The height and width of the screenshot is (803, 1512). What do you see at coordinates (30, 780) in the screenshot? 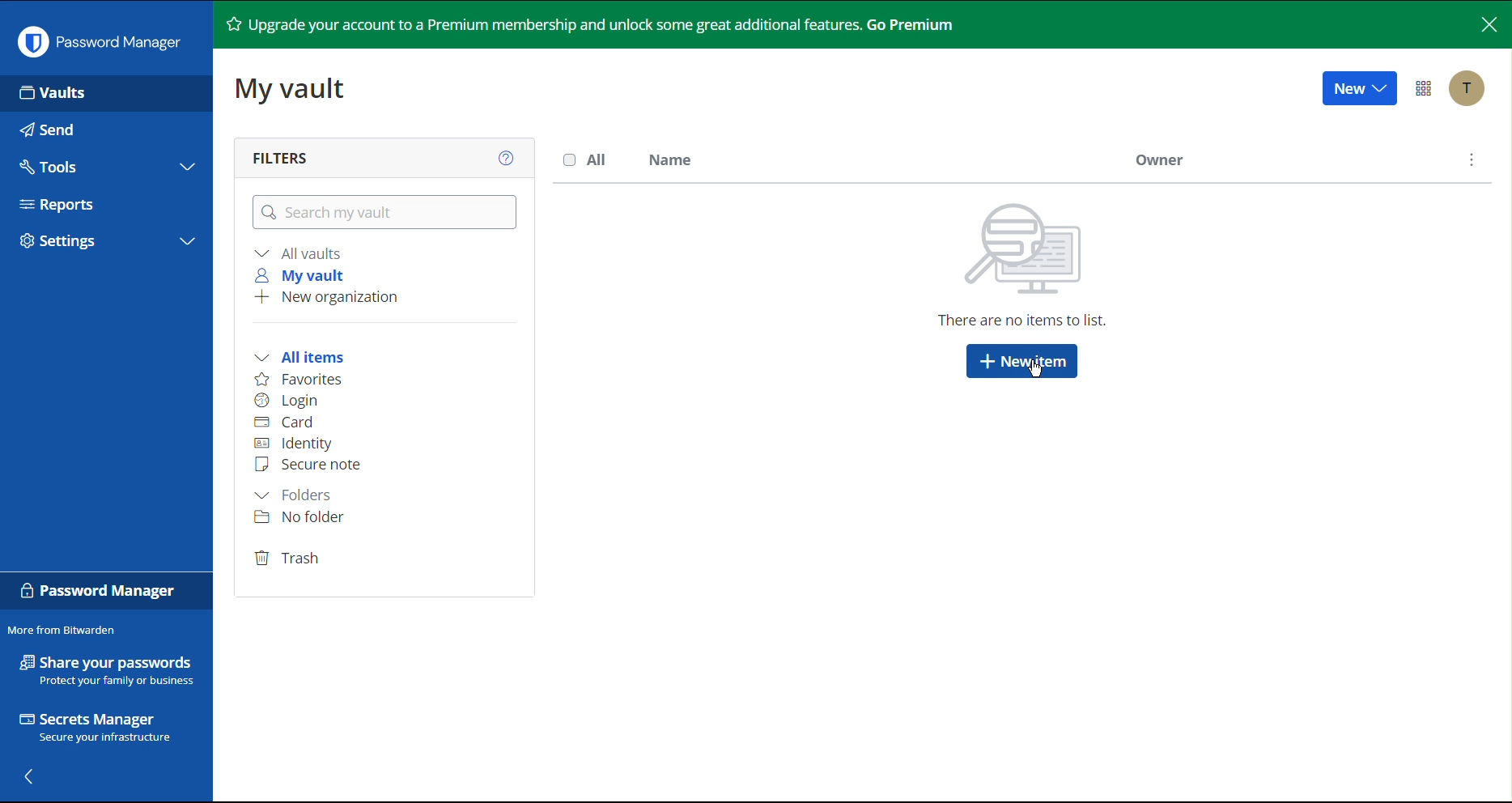
I see `Back` at bounding box center [30, 780].